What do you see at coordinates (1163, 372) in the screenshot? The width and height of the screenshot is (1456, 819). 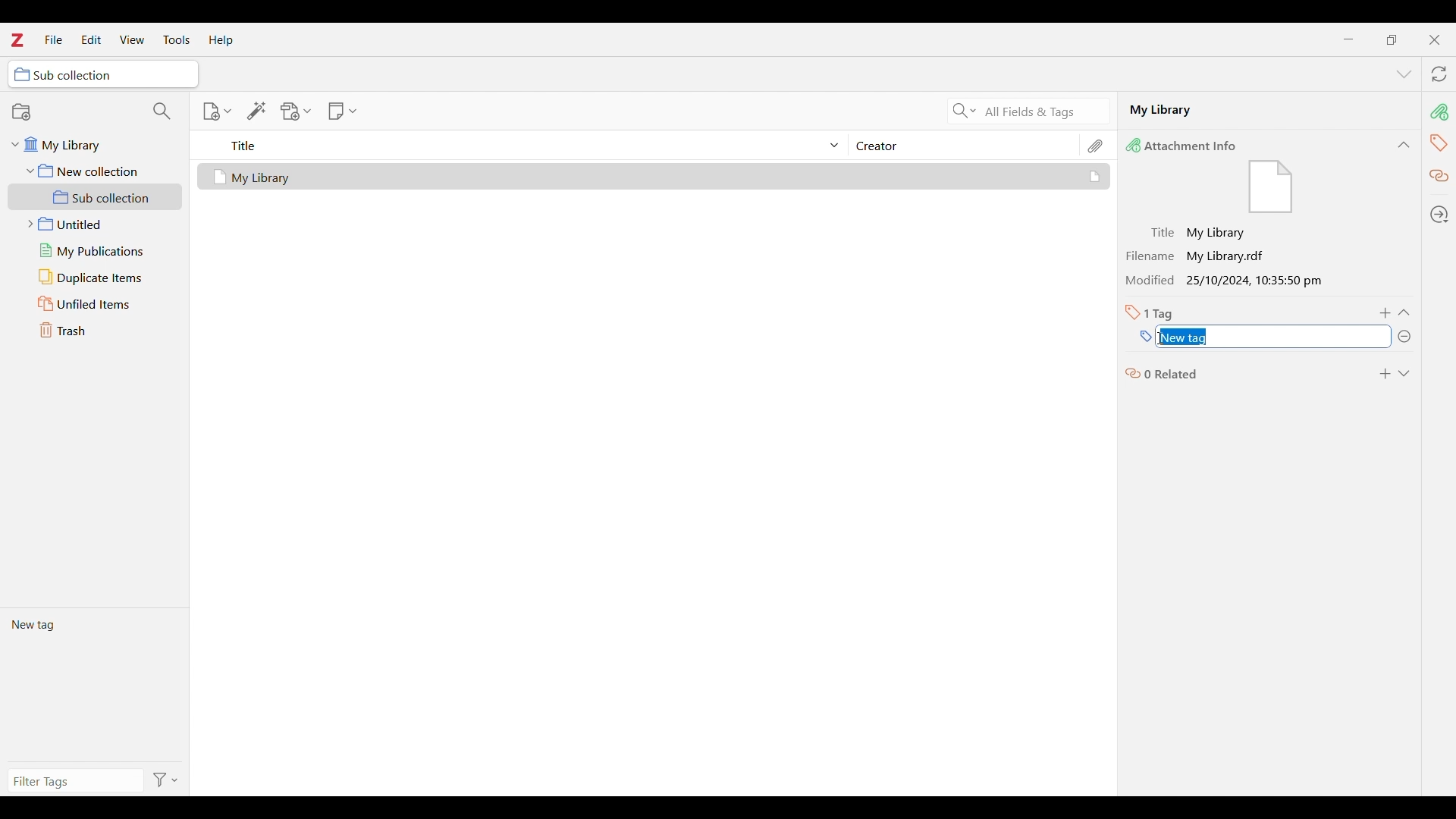 I see `0 related` at bounding box center [1163, 372].